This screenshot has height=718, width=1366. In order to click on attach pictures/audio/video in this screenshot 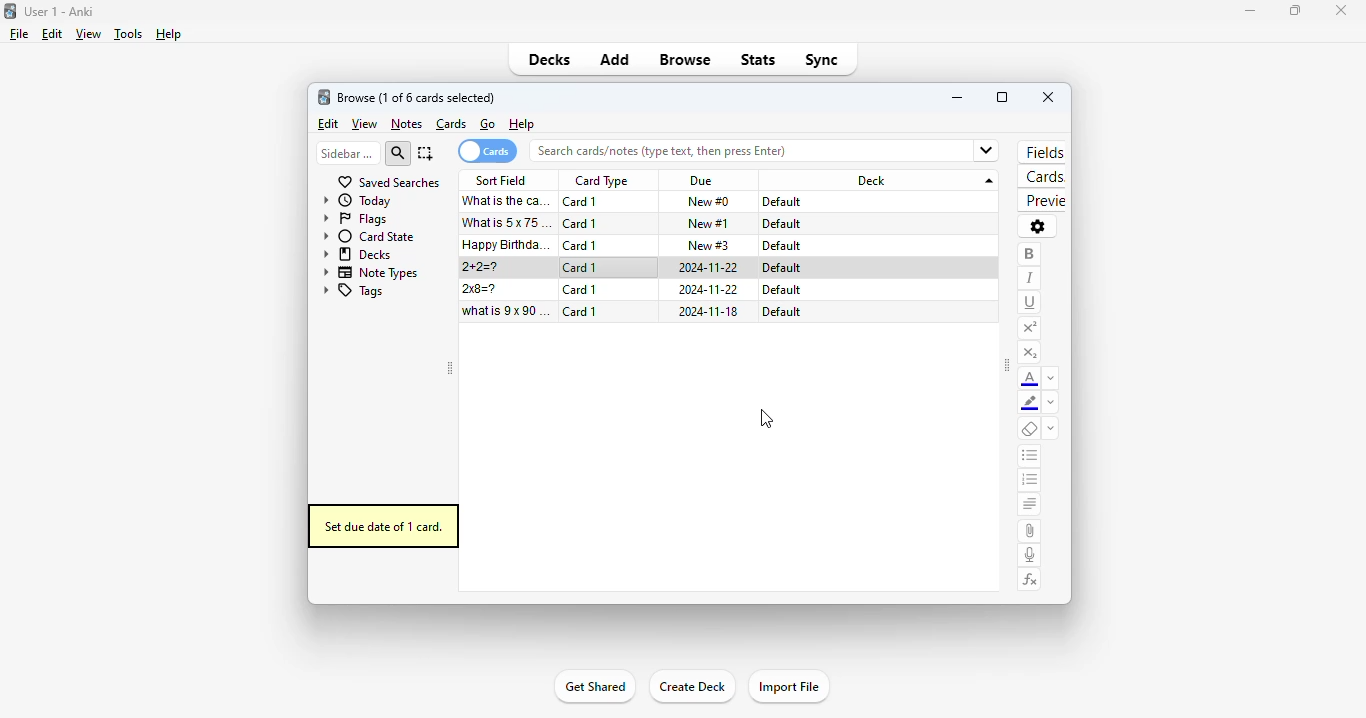, I will do `click(1029, 531)`.